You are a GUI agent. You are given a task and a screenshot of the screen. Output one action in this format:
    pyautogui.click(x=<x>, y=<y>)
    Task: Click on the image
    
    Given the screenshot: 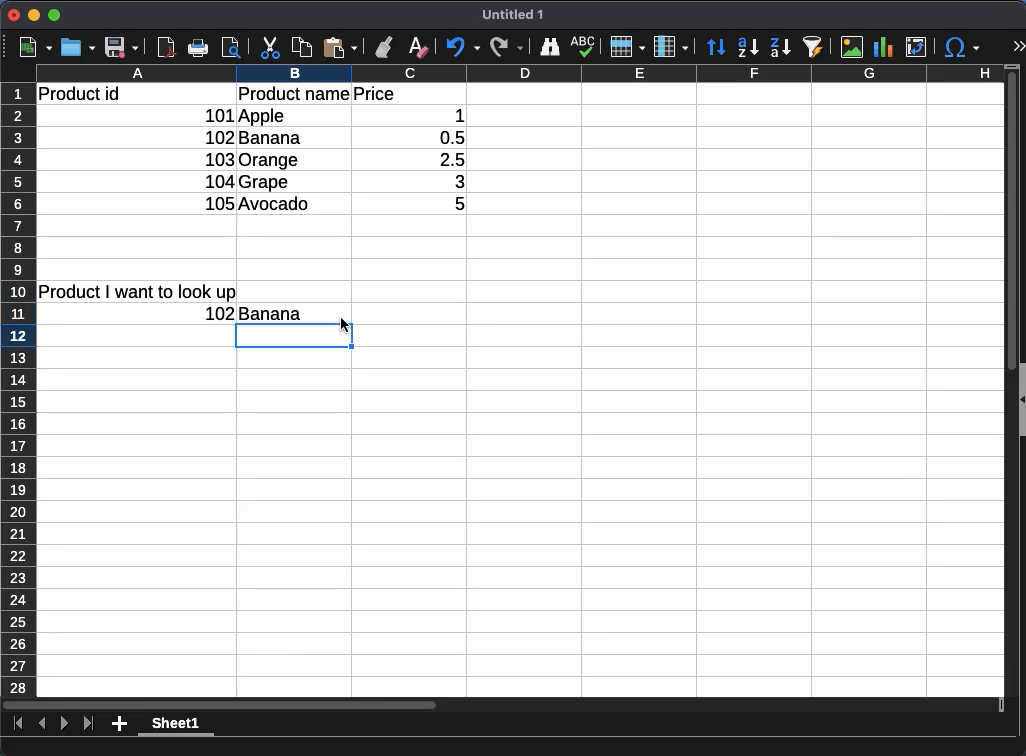 What is the action you would take?
    pyautogui.click(x=852, y=47)
    